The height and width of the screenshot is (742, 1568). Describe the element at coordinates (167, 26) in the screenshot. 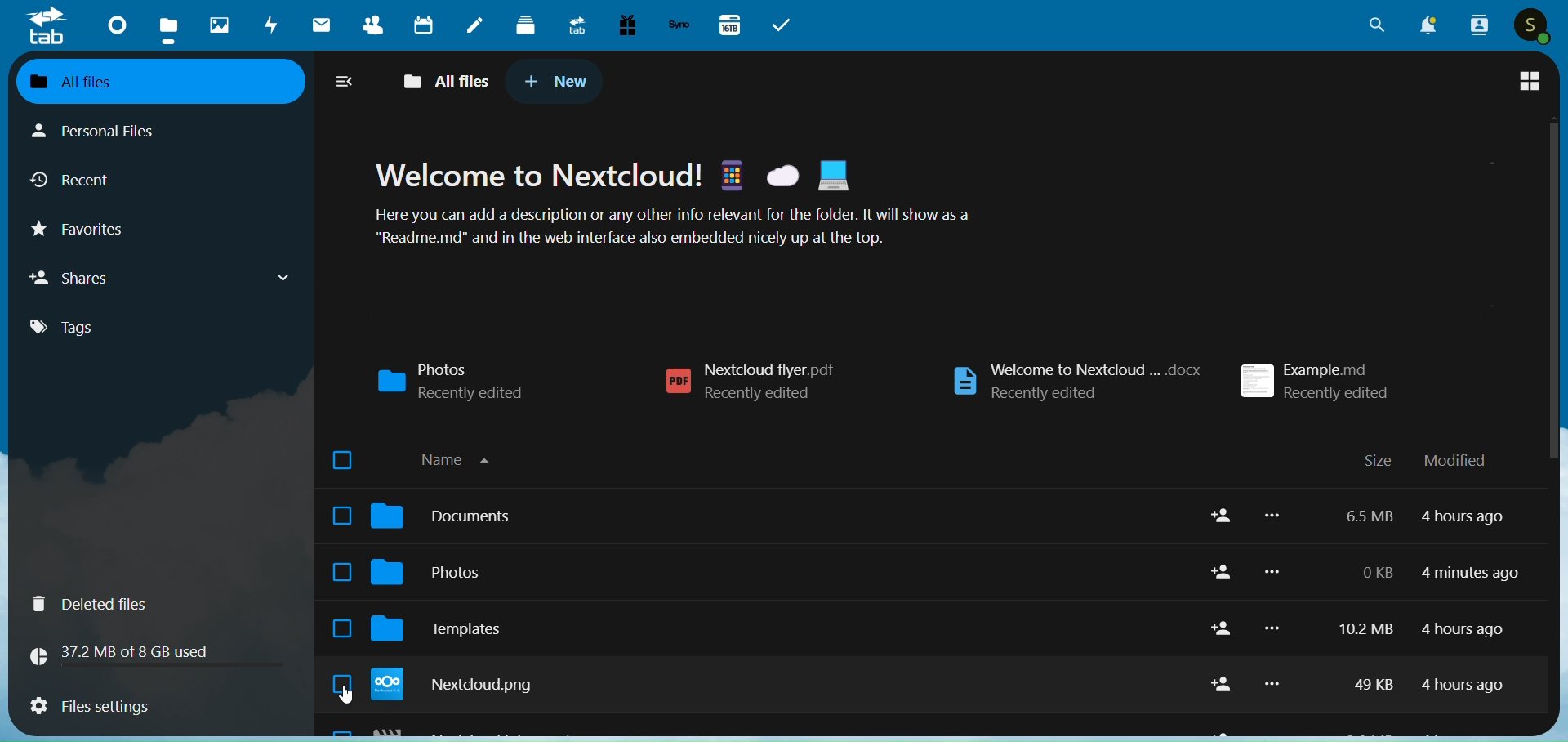

I see `files` at that location.